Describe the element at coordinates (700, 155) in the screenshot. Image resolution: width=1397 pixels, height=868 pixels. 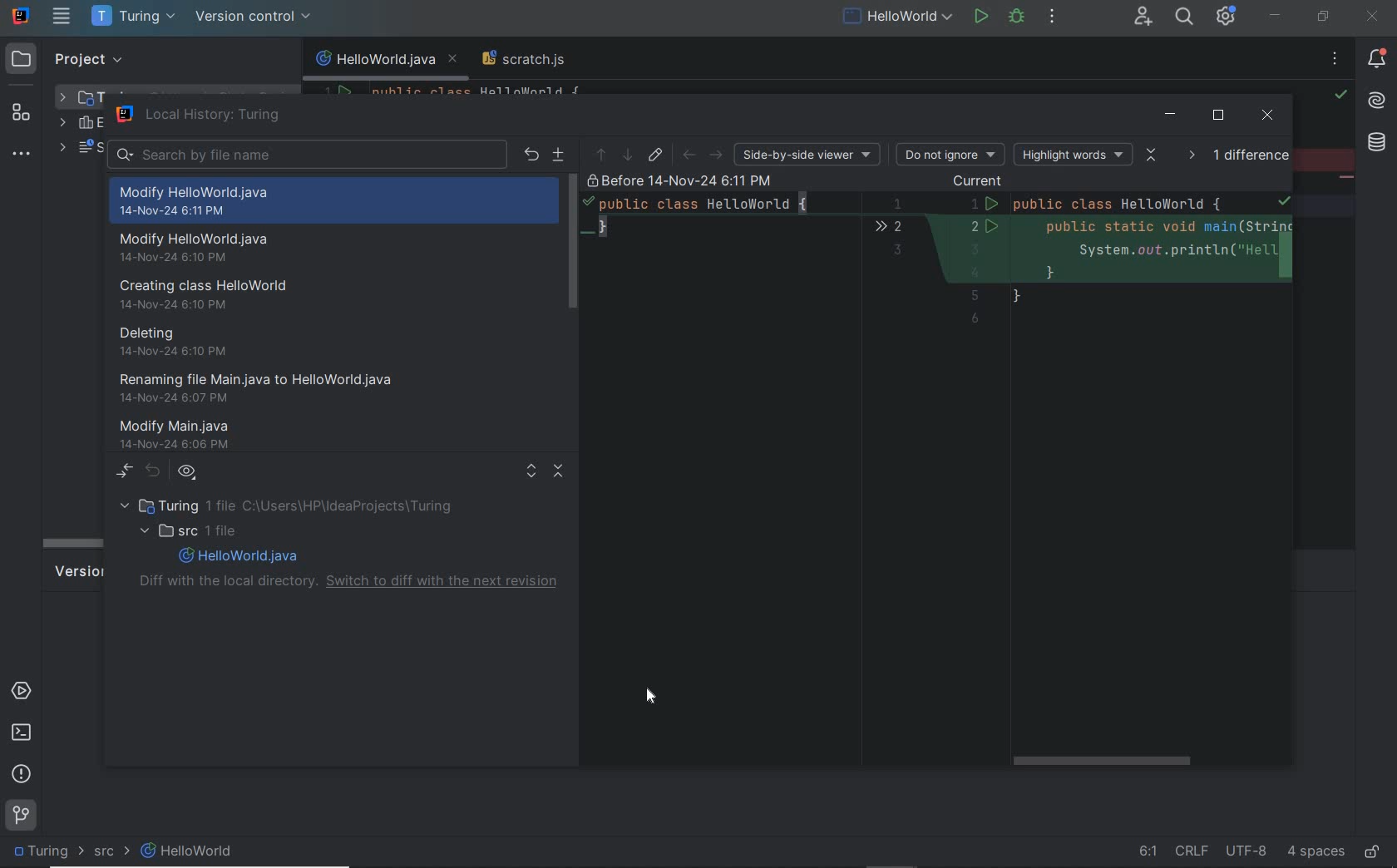
I see `back or forward` at that location.